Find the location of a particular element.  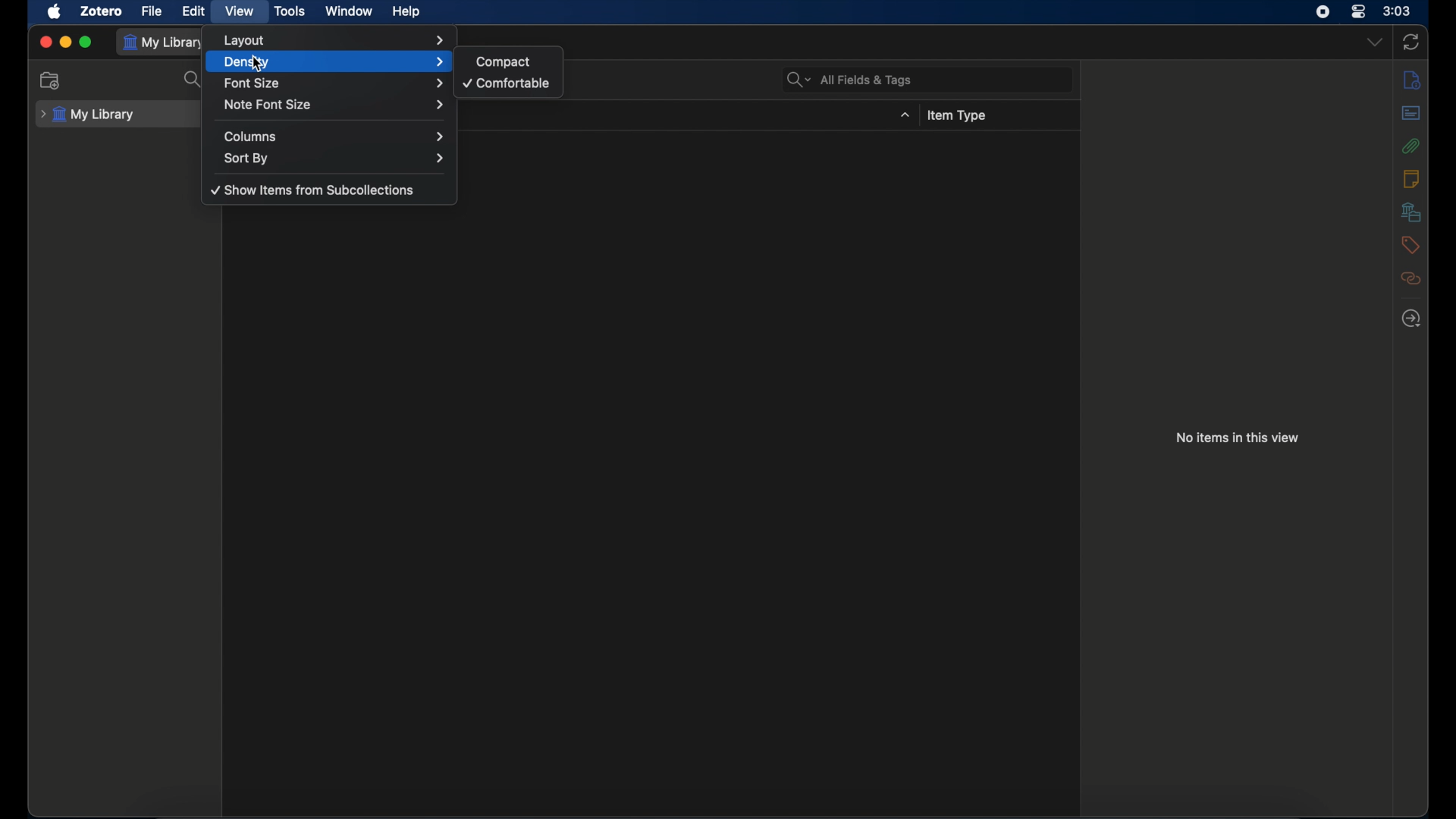

cursor is located at coordinates (256, 63).